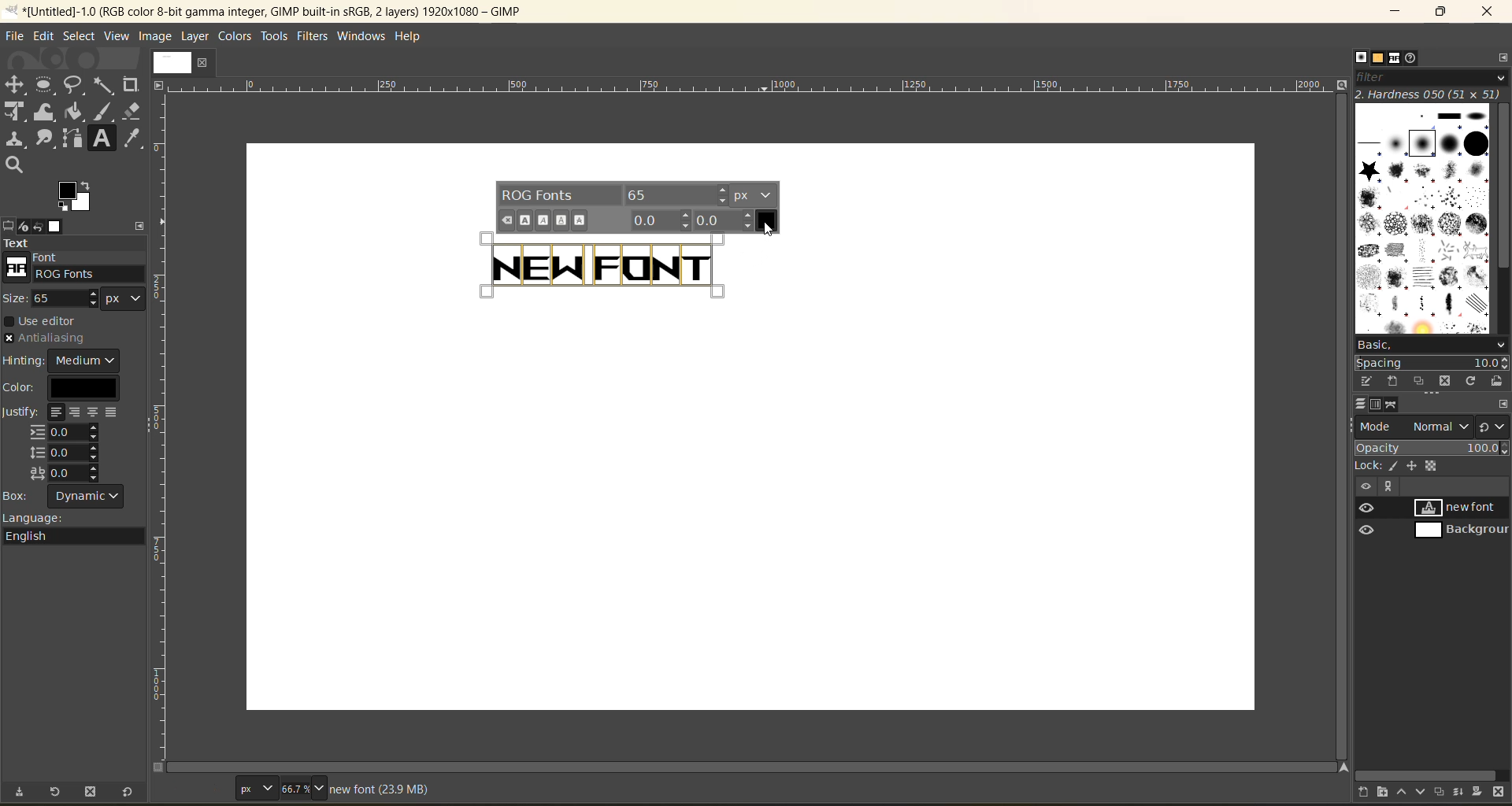  What do you see at coordinates (17, 33) in the screenshot?
I see `file` at bounding box center [17, 33].